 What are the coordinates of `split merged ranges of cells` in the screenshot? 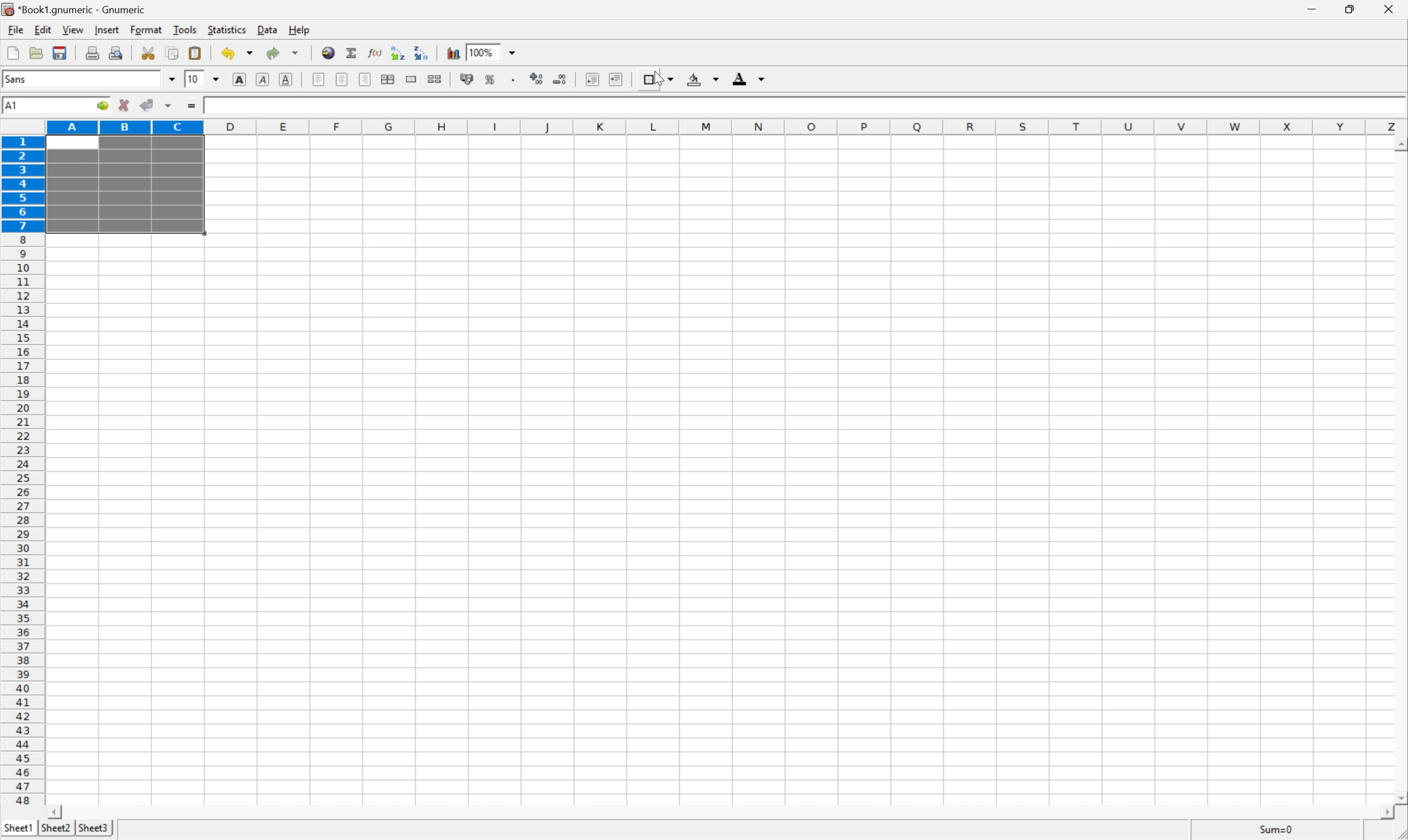 It's located at (435, 78).